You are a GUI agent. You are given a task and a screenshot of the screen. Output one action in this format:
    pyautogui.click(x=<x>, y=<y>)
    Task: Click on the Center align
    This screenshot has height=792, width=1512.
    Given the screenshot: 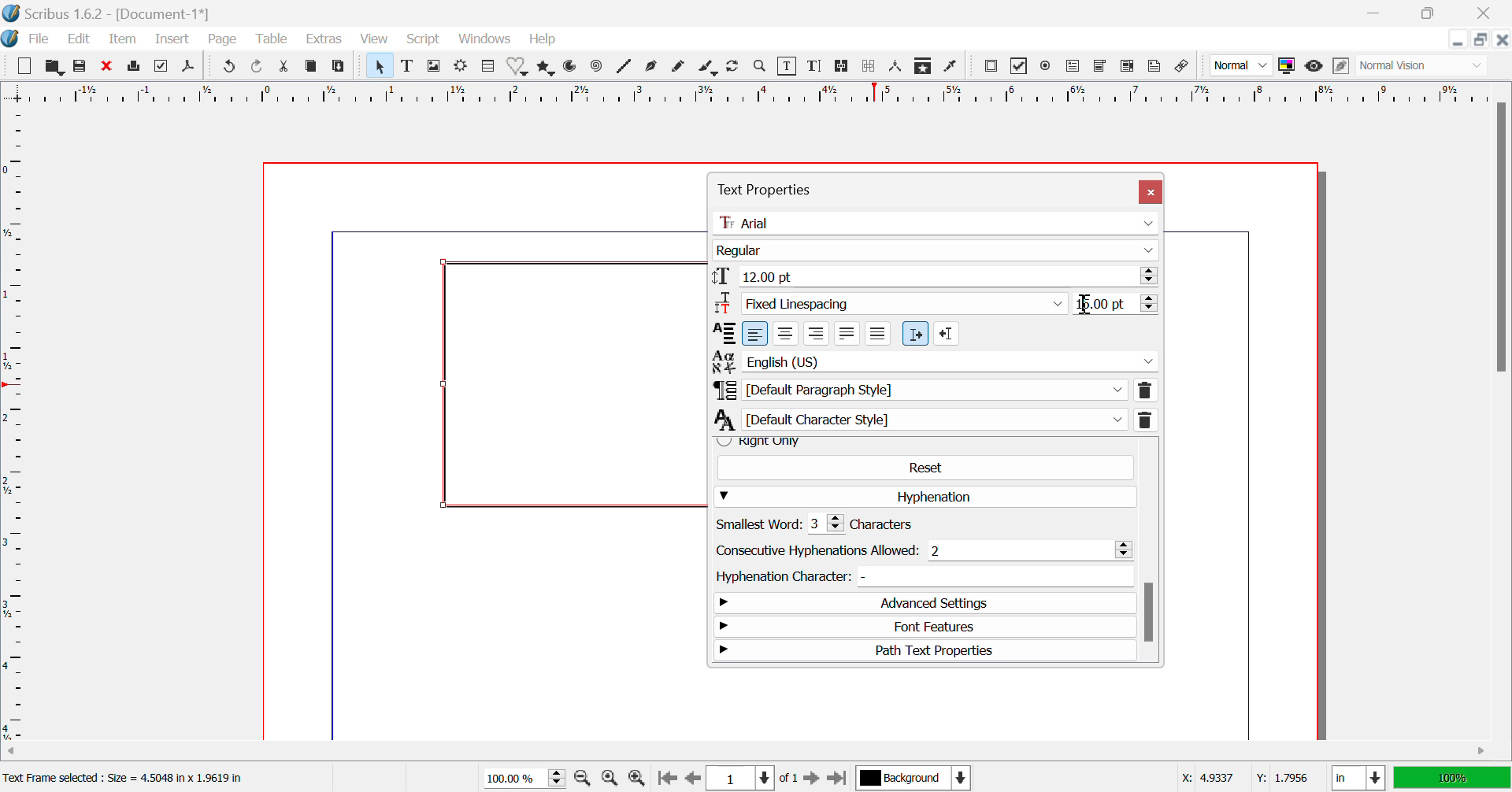 What is the action you would take?
    pyautogui.click(x=786, y=333)
    